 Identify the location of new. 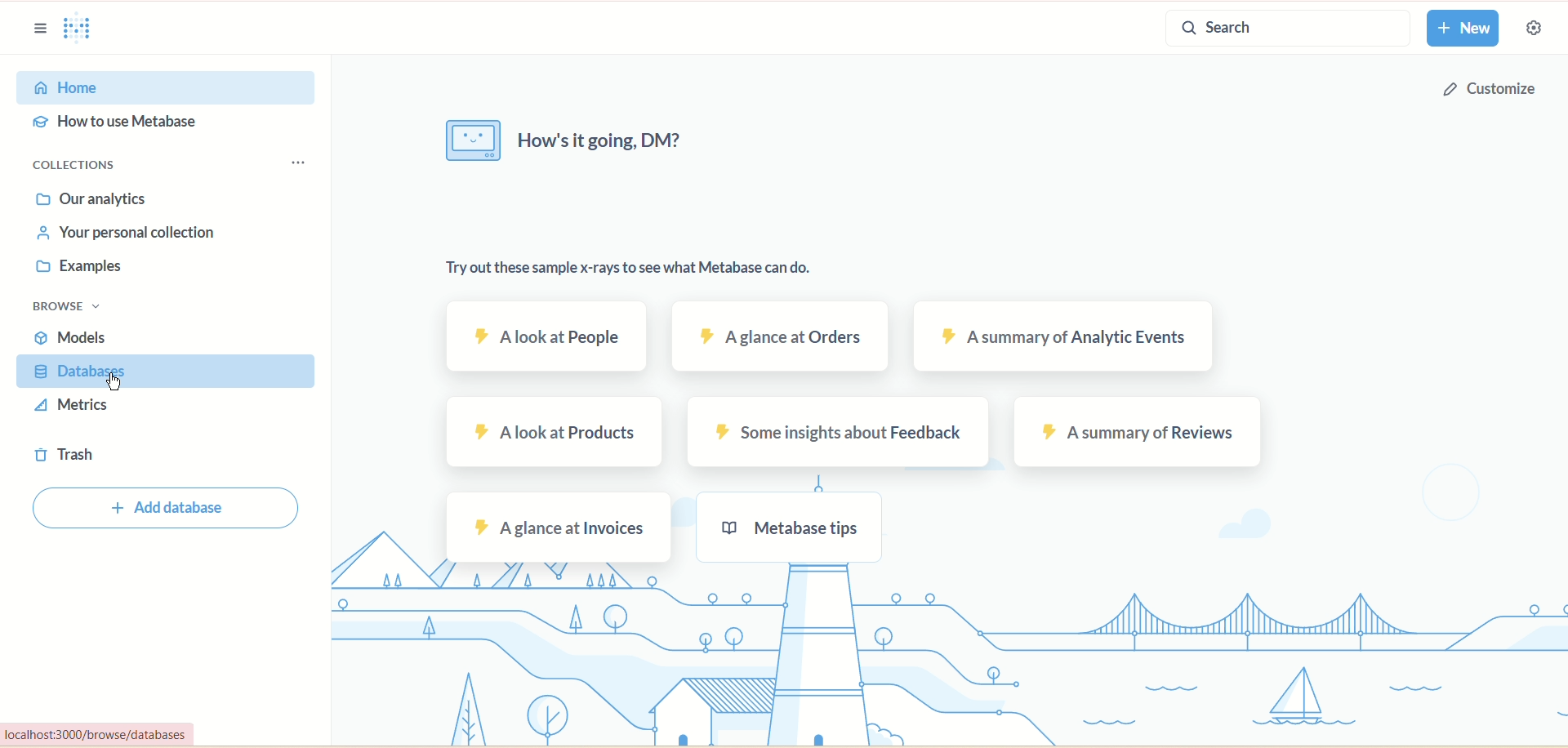
(1463, 29).